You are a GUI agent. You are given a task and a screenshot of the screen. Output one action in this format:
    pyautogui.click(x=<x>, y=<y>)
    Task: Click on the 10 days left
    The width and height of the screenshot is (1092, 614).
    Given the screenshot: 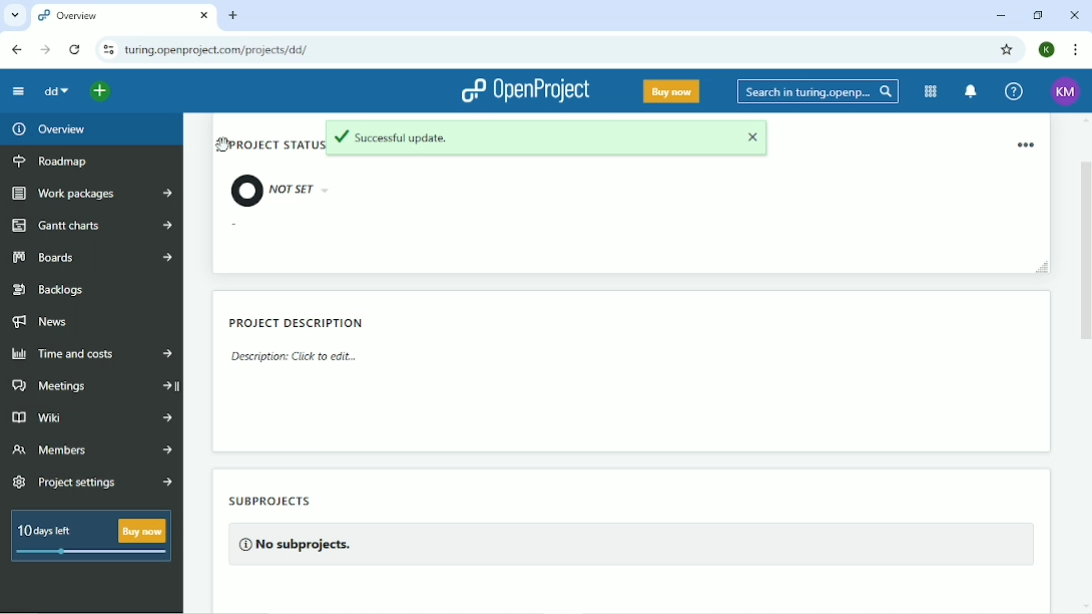 What is the action you would take?
    pyautogui.click(x=89, y=538)
    